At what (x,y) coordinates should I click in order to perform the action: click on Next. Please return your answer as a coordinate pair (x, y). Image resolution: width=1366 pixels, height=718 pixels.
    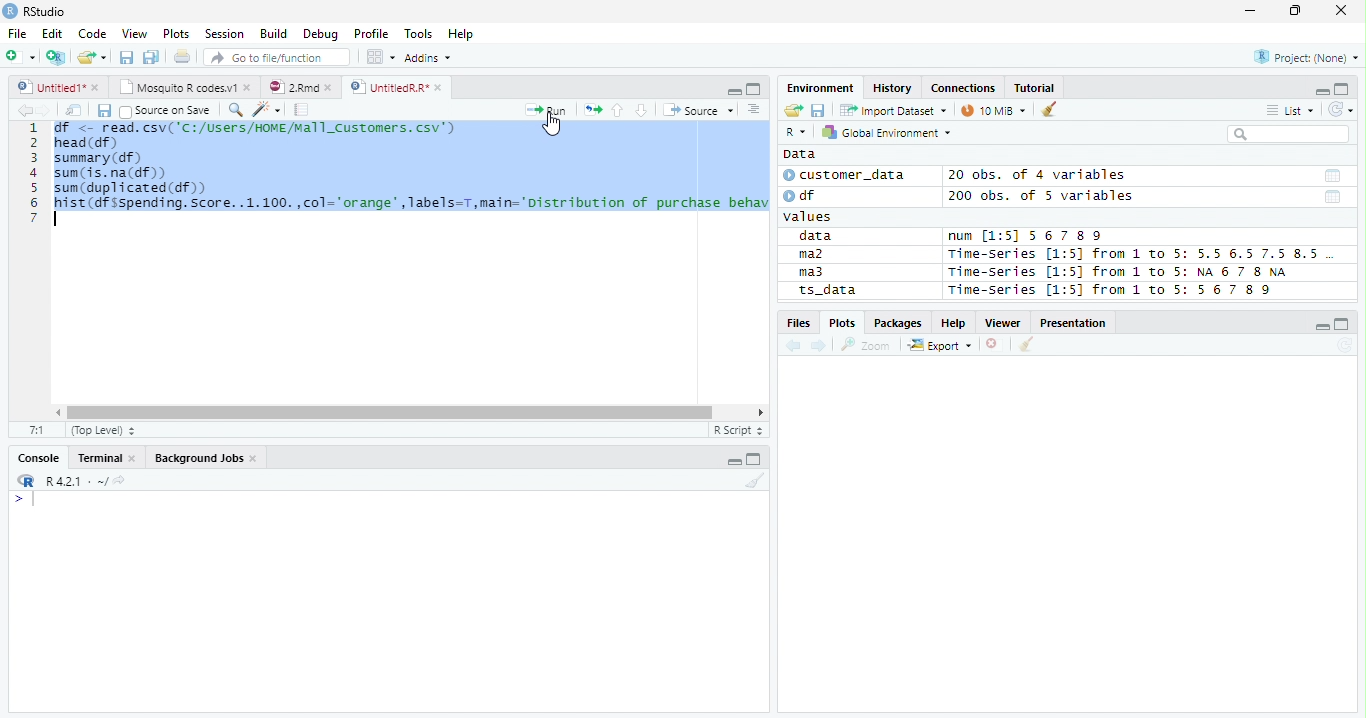
    Looking at the image, I should click on (45, 111).